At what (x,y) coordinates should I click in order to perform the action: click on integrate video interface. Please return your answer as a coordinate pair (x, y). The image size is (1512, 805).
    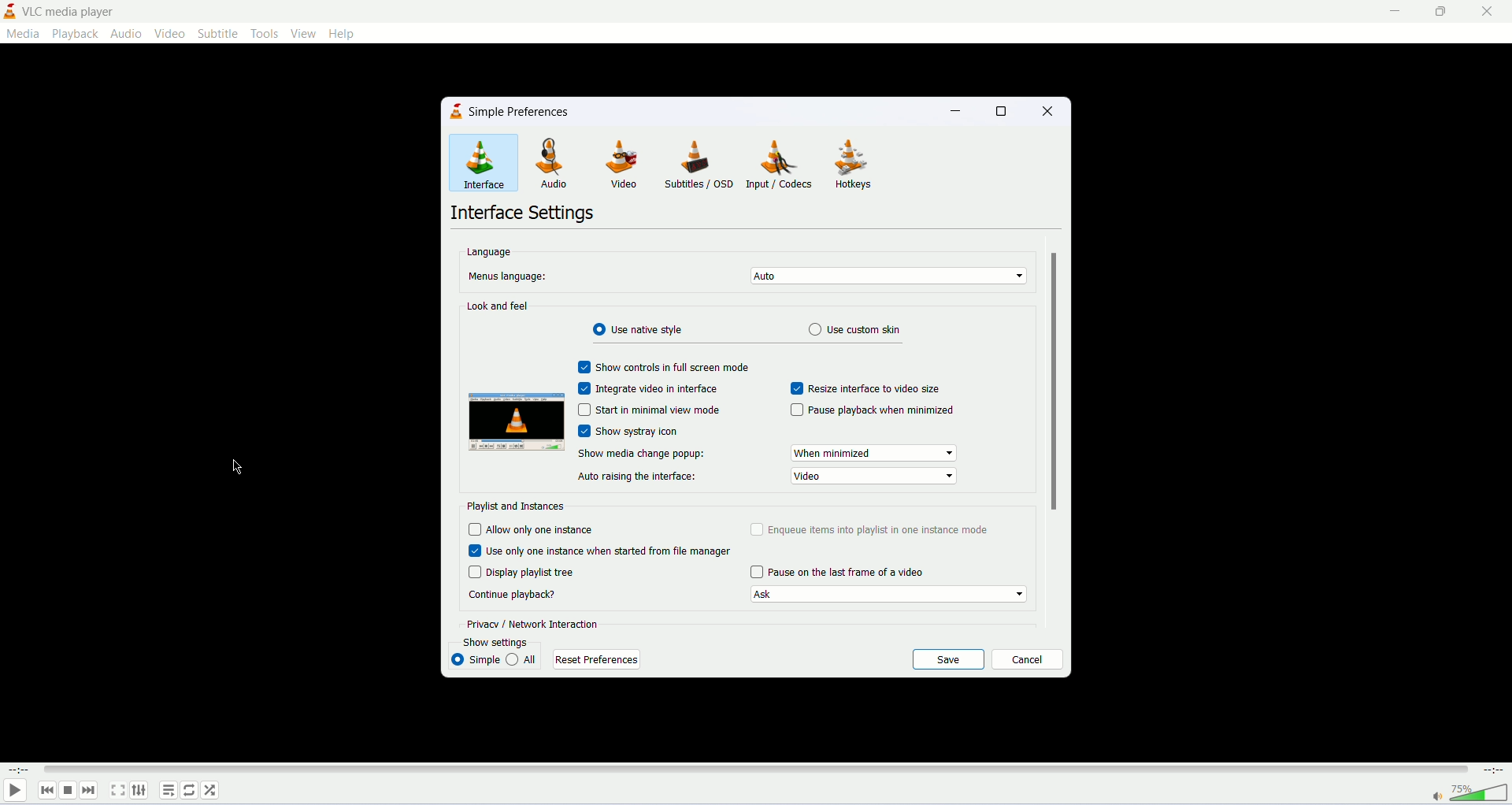
    Looking at the image, I should click on (647, 389).